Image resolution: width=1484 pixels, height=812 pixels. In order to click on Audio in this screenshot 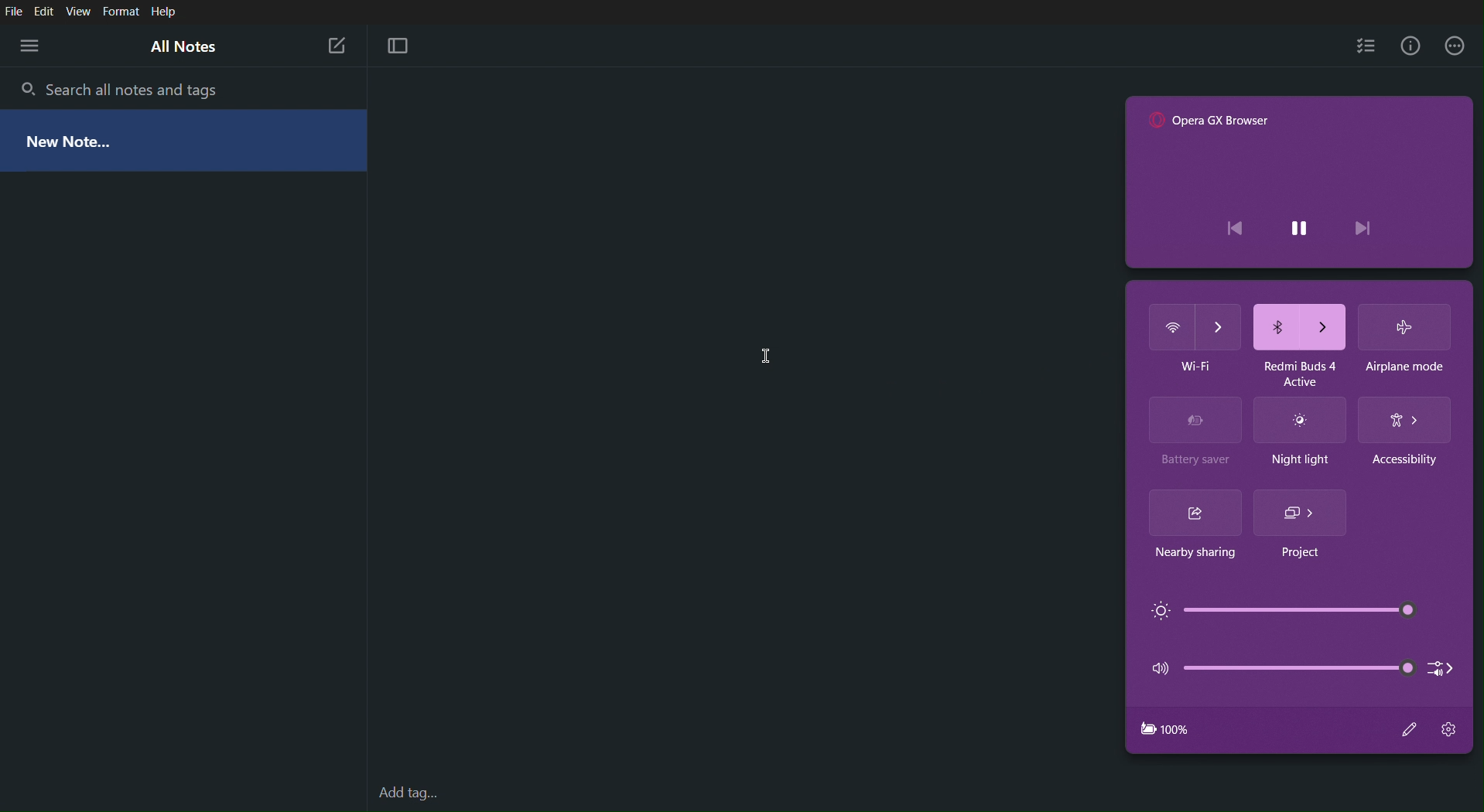, I will do `click(1302, 664)`.